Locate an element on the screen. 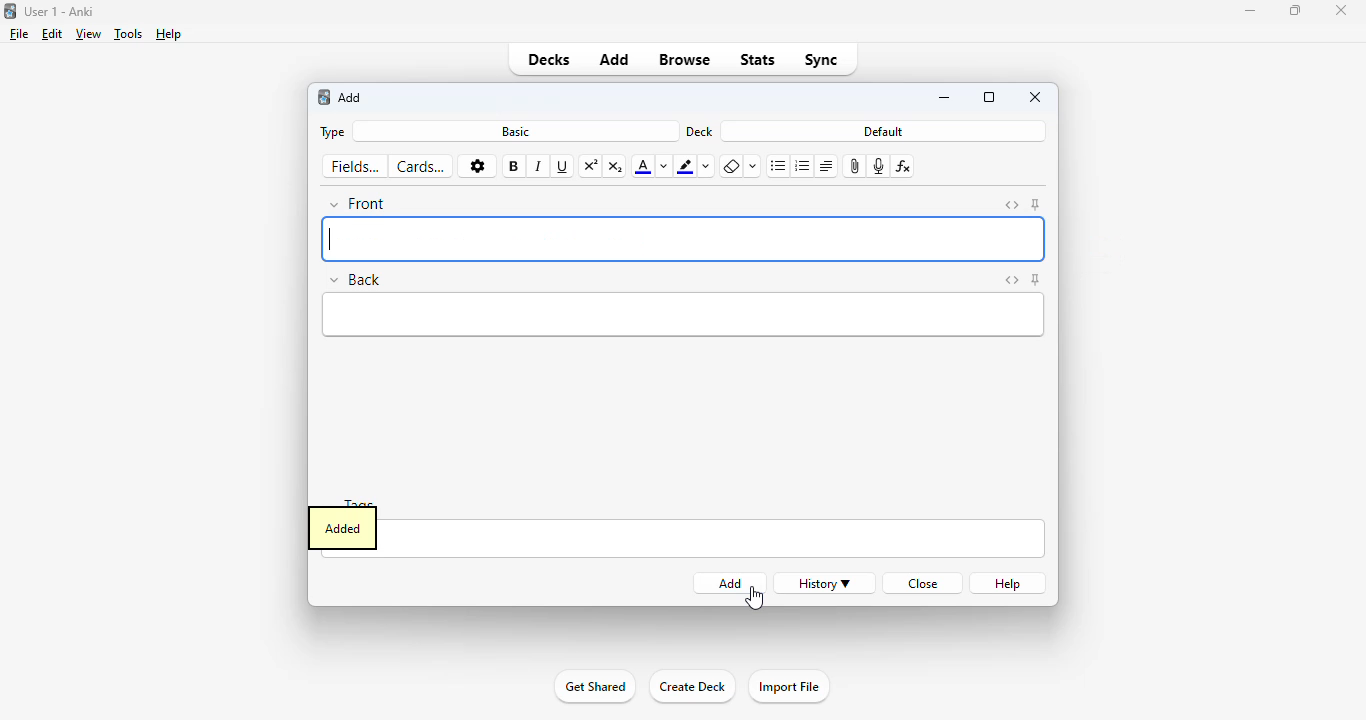 The height and width of the screenshot is (720, 1366). import file is located at coordinates (787, 687).